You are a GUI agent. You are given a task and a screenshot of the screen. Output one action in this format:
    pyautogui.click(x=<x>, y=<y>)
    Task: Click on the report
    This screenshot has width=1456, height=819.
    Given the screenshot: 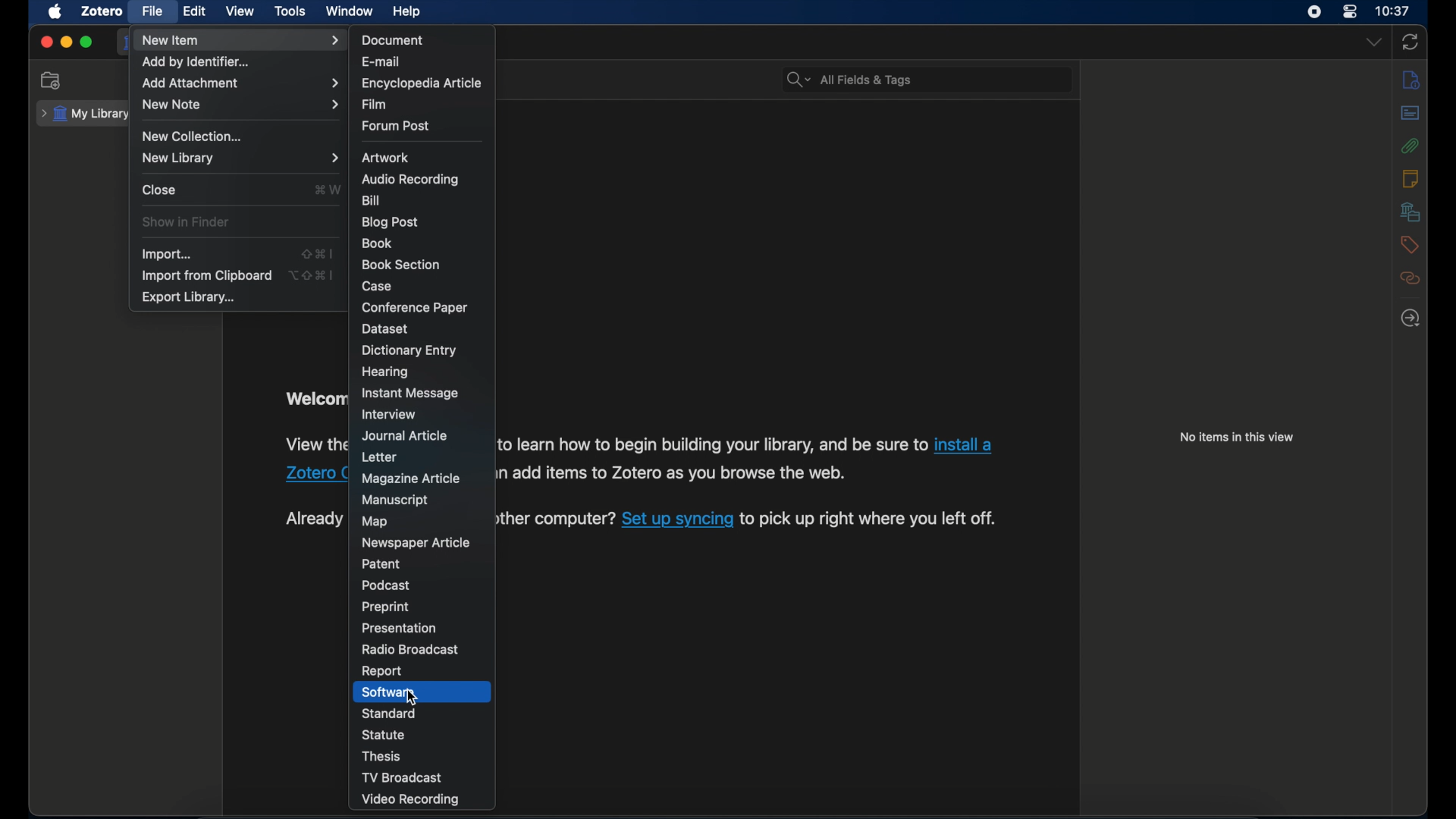 What is the action you would take?
    pyautogui.click(x=383, y=670)
    